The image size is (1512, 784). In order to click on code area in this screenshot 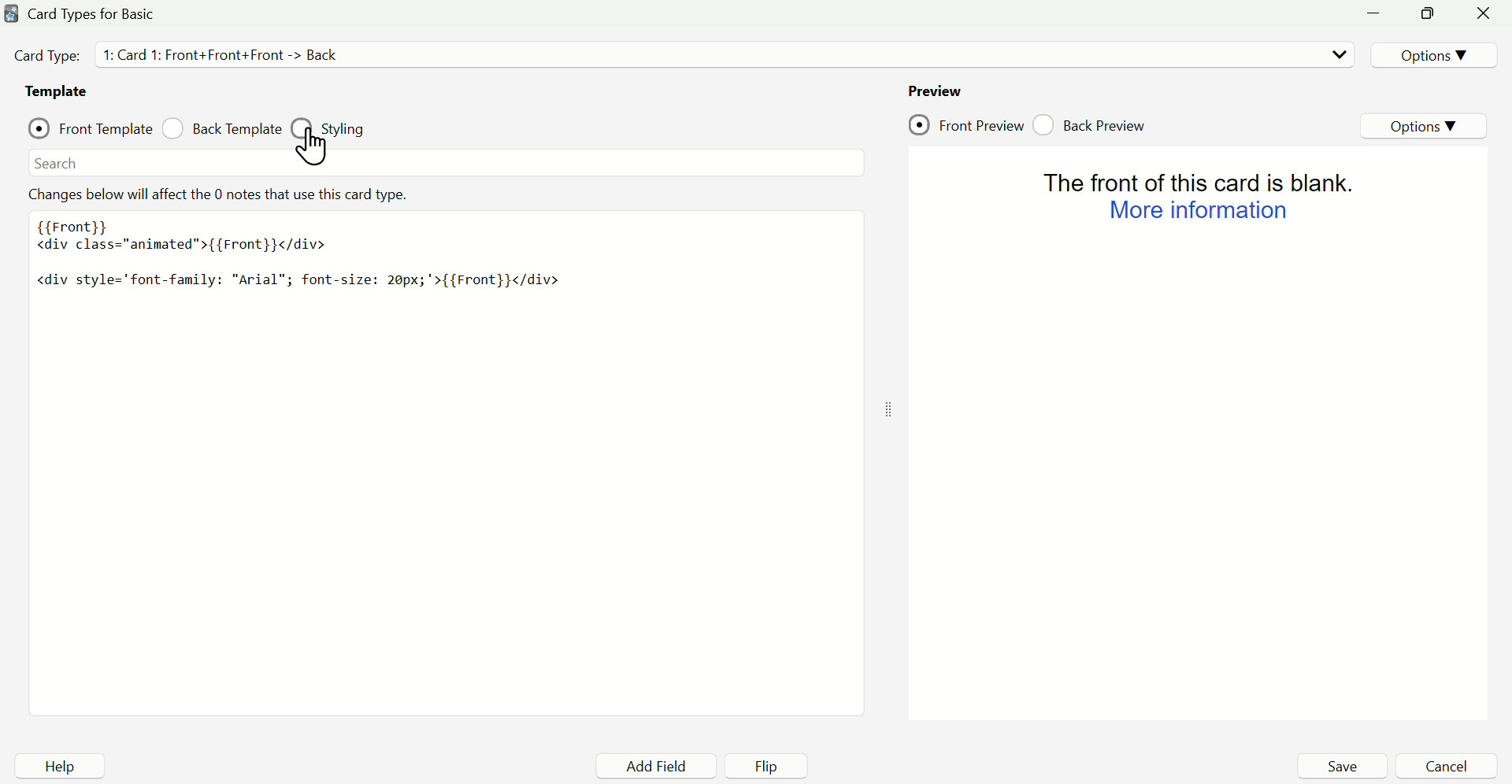, I will do `click(444, 449)`.